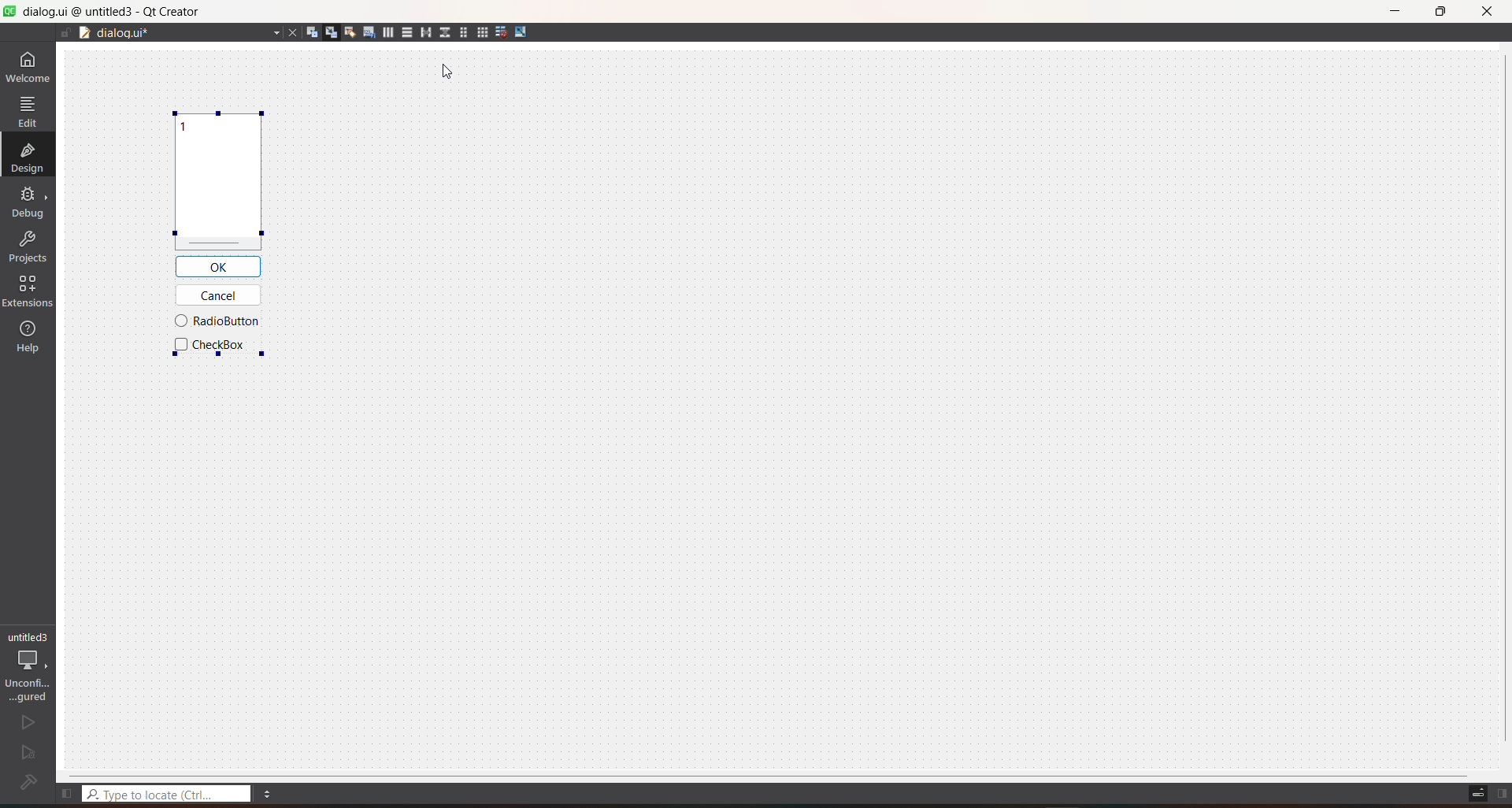 The width and height of the screenshot is (1512, 808). Describe the element at coordinates (25, 751) in the screenshot. I see `run and debug file` at that location.